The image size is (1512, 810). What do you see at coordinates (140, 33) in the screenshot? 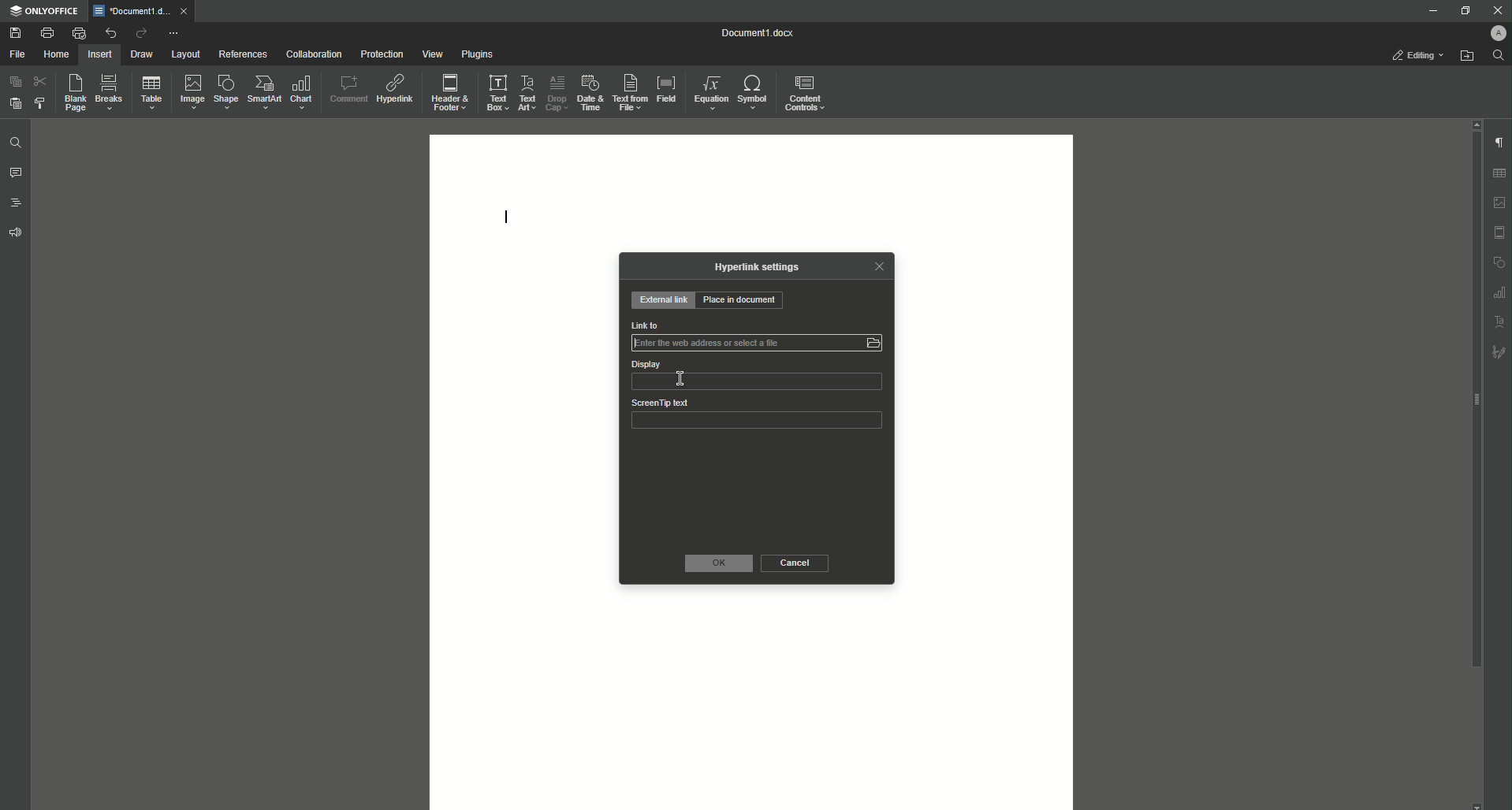
I see `Redo` at bounding box center [140, 33].